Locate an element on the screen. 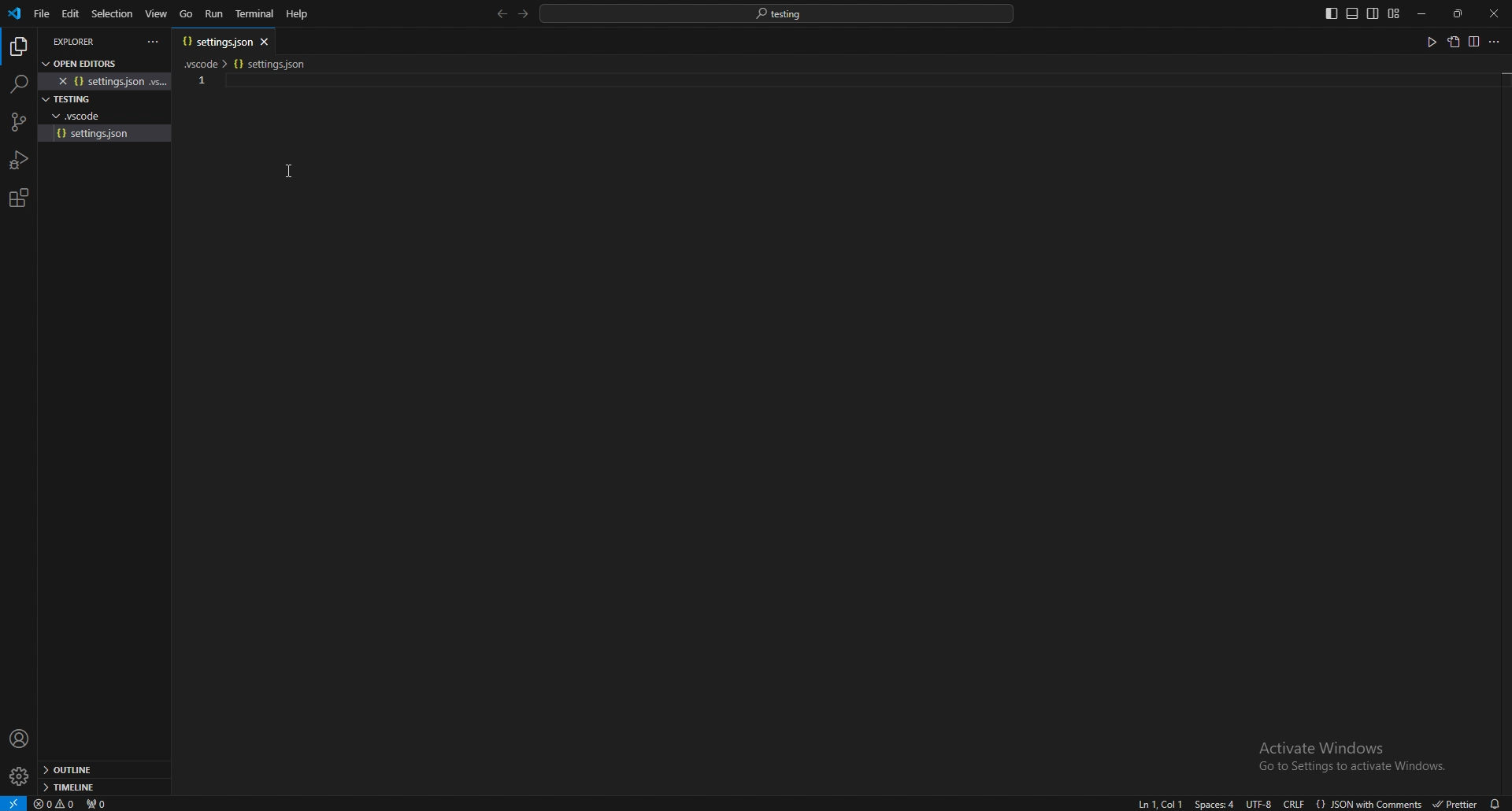  resize is located at coordinates (1459, 14).